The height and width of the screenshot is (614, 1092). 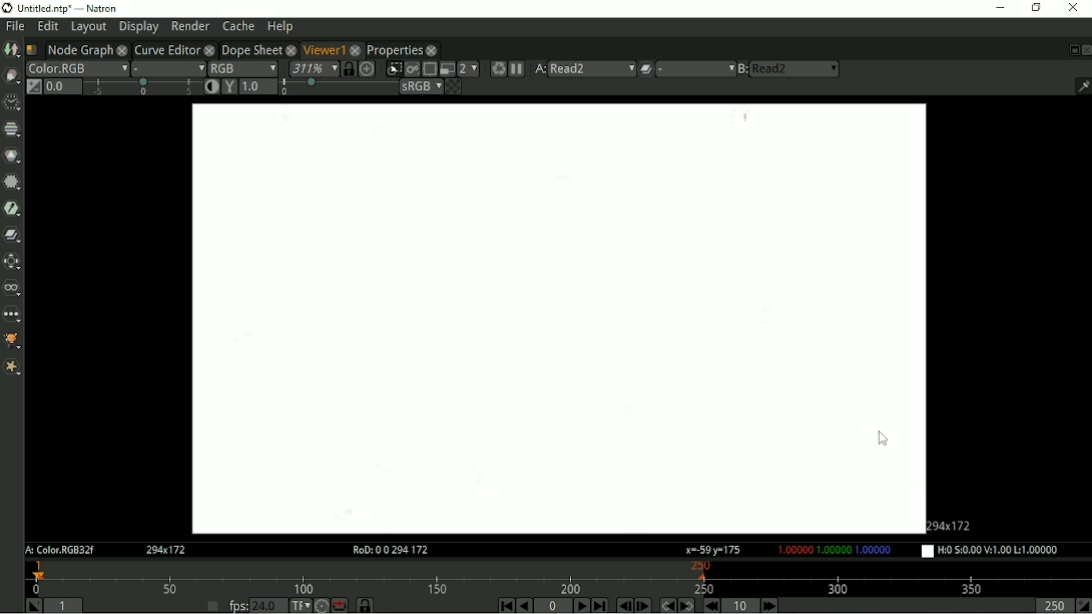 I want to click on Show/hide information bar, so click(x=1082, y=86).